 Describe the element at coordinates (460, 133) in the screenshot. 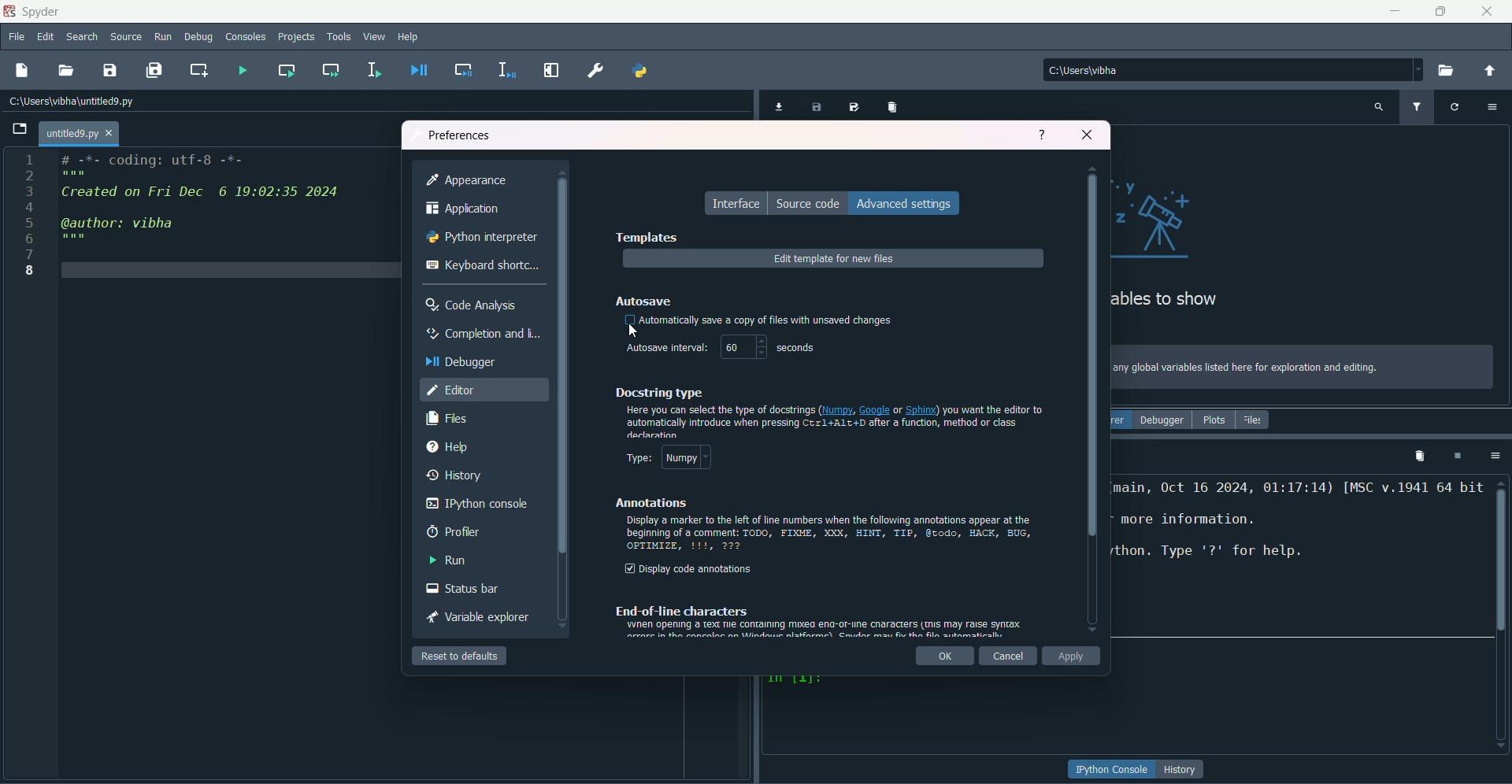

I see `preferences` at that location.